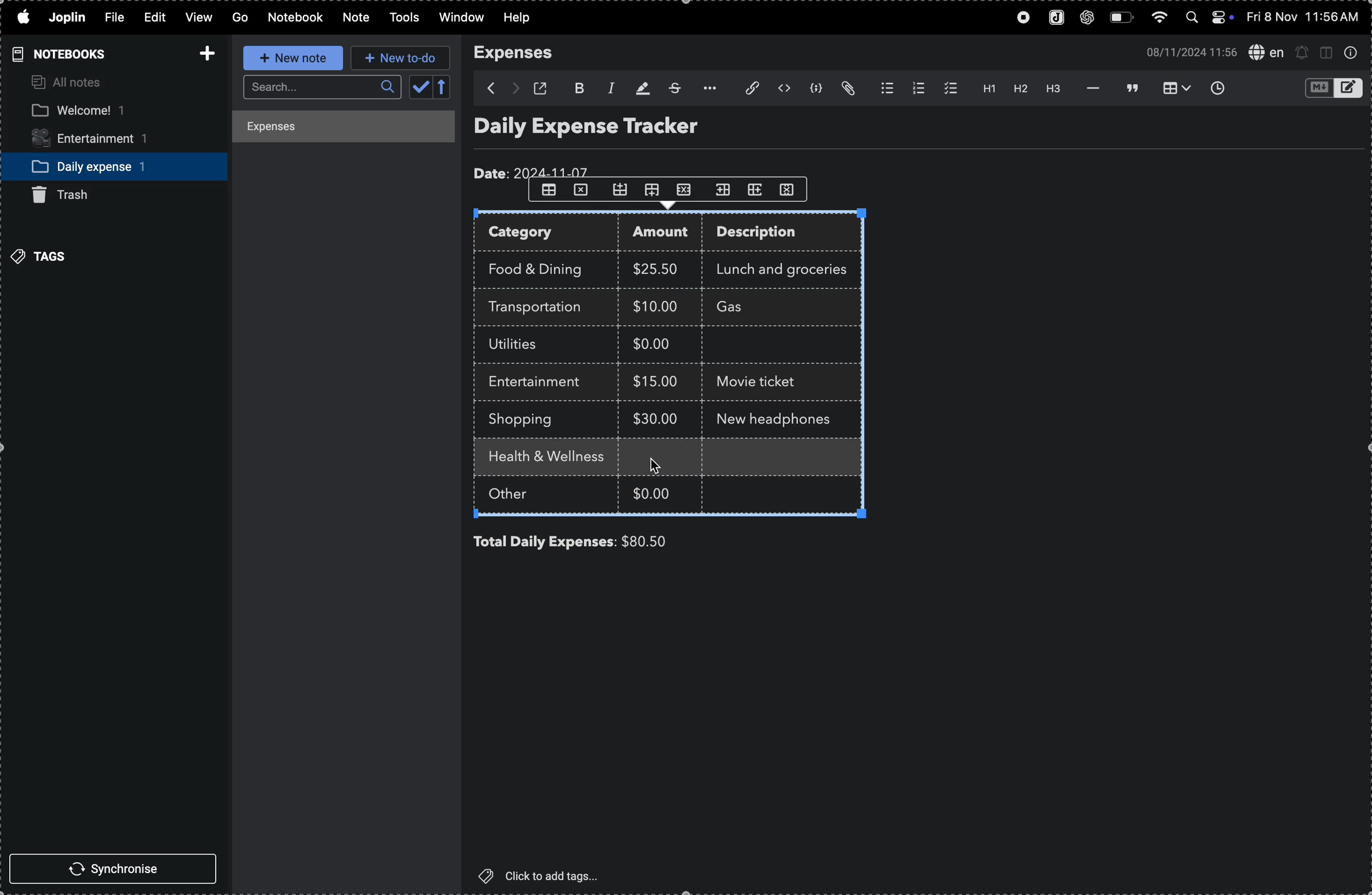 Image resolution: width=1372 pixels, height=895 pixels. I want to click on welcome notebook, so click(101, 111).